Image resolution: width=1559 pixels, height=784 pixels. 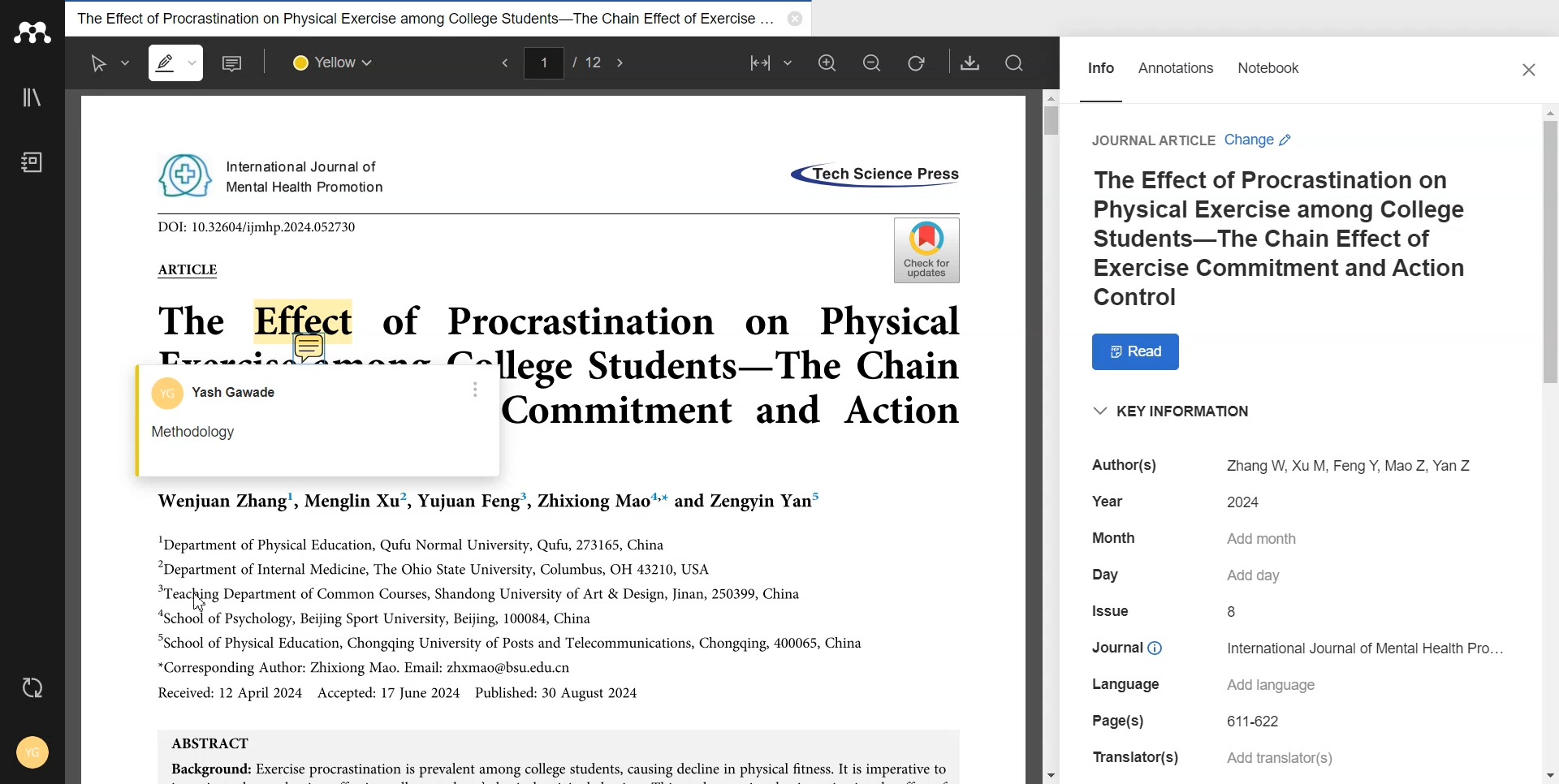 What do you see at coordinates (187, 269) in the screenshot?
I see `ARTICLE` at bounding box center [187, 269].